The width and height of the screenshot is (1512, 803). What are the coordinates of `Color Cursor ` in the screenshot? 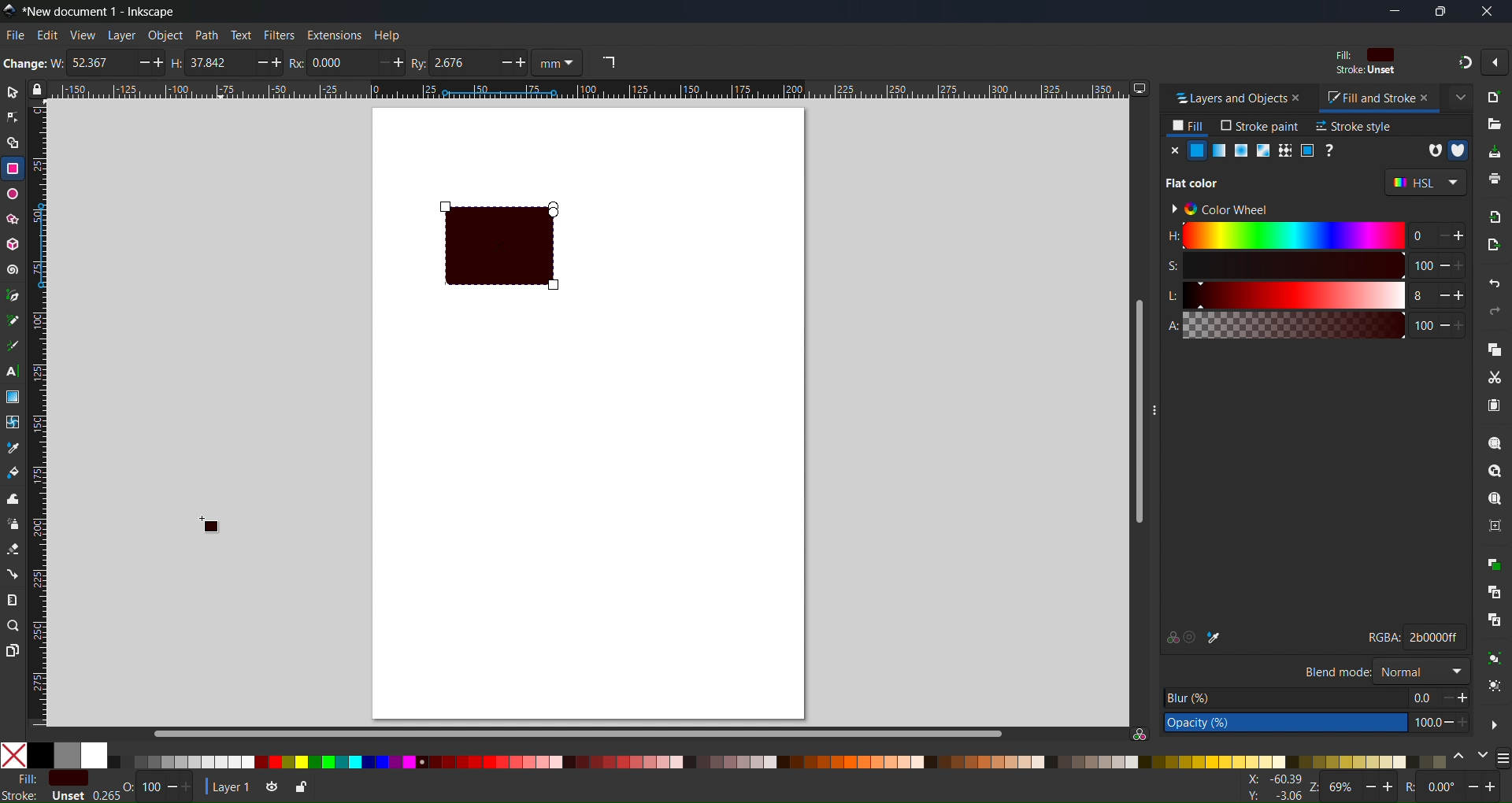 It's located at (217, 530).